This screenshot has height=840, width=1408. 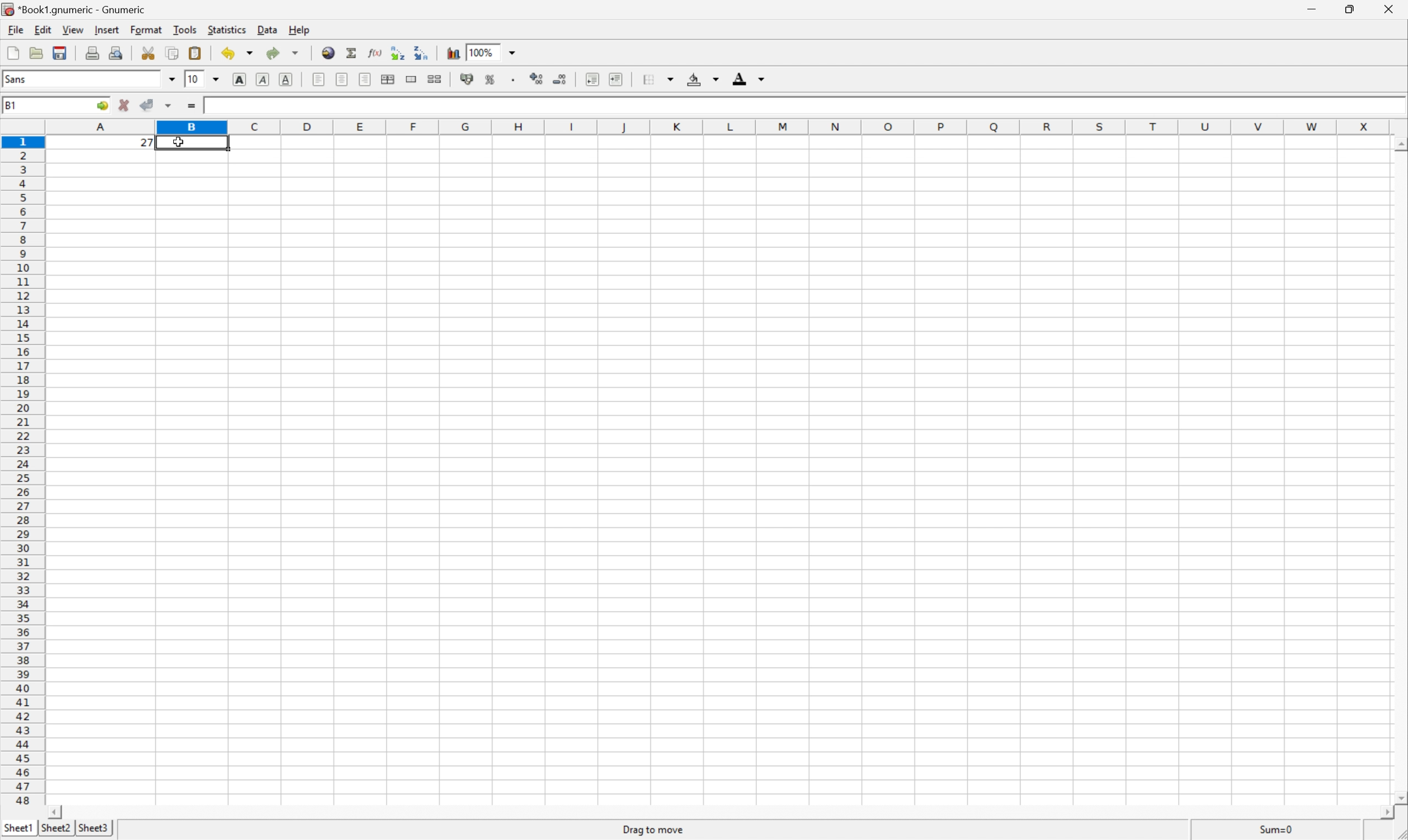 I want to click on Insert a hyperlink, so click(x=328, y=54).